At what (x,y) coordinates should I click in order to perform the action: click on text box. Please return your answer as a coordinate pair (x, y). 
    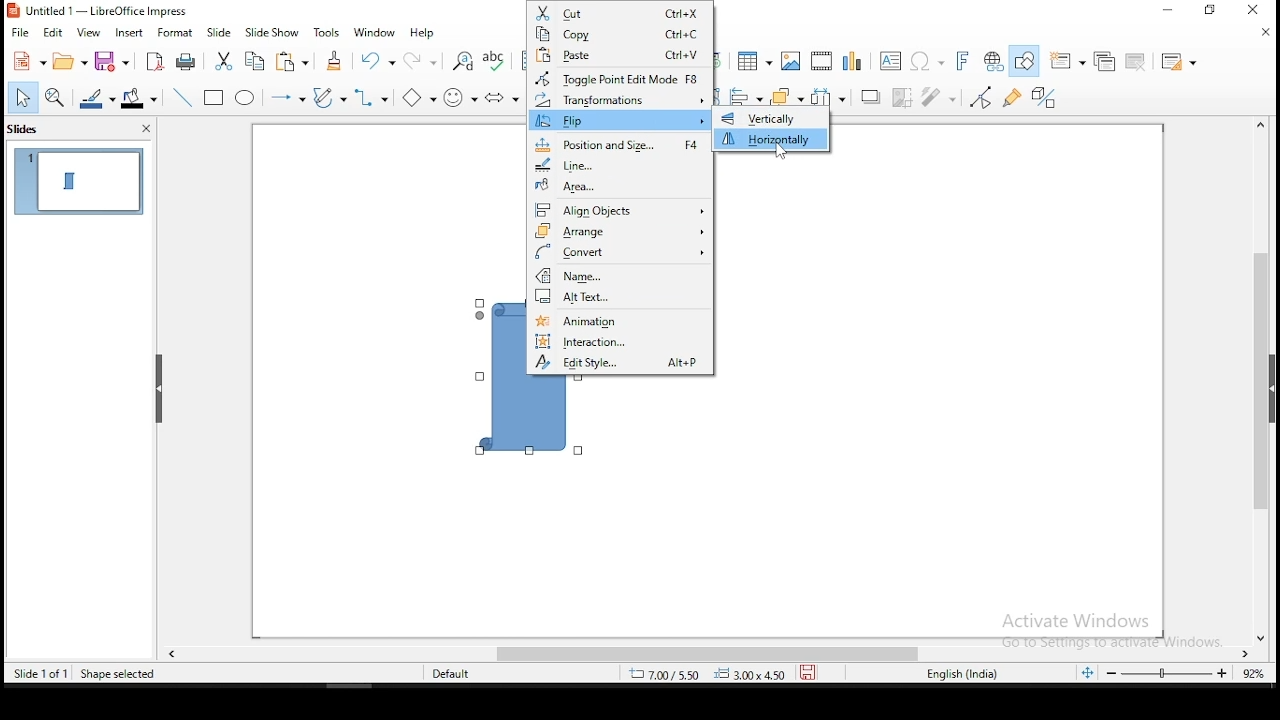
    Looking at the image, I should click on (890, 60).